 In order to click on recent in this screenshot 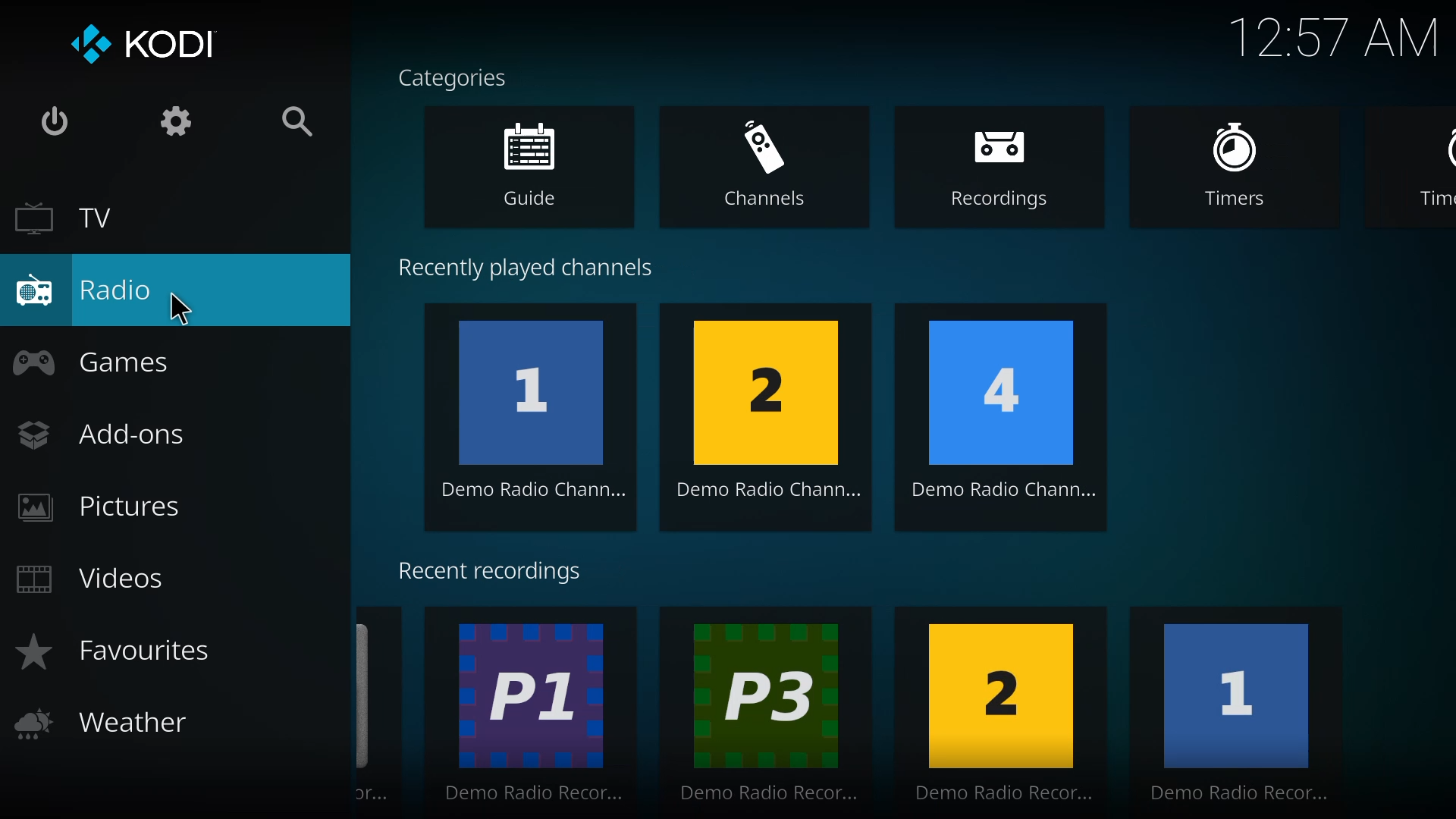, I will do `click(488, 573)`.